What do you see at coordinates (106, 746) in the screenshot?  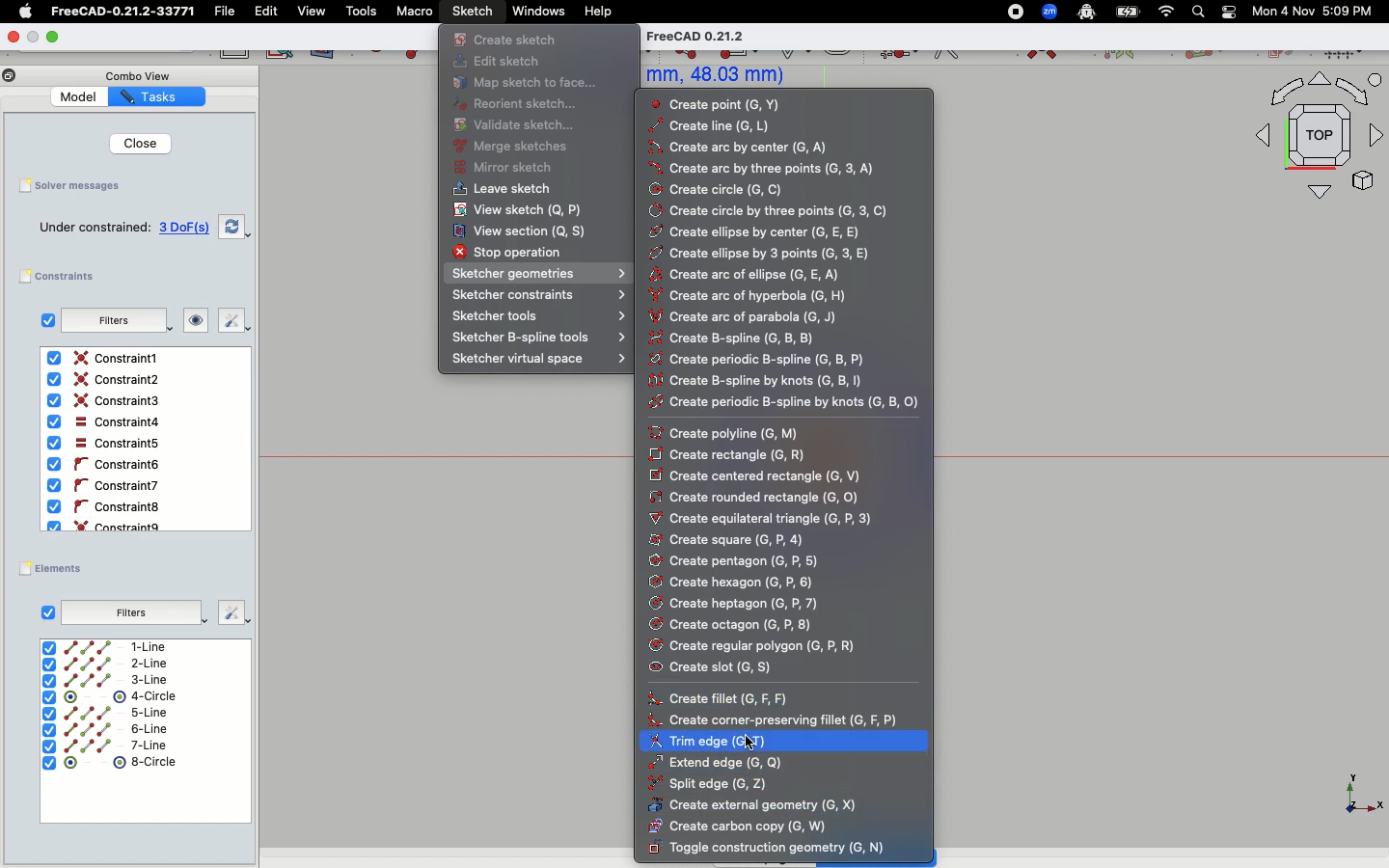 I see `7-line` at bounding box center [106, 746].